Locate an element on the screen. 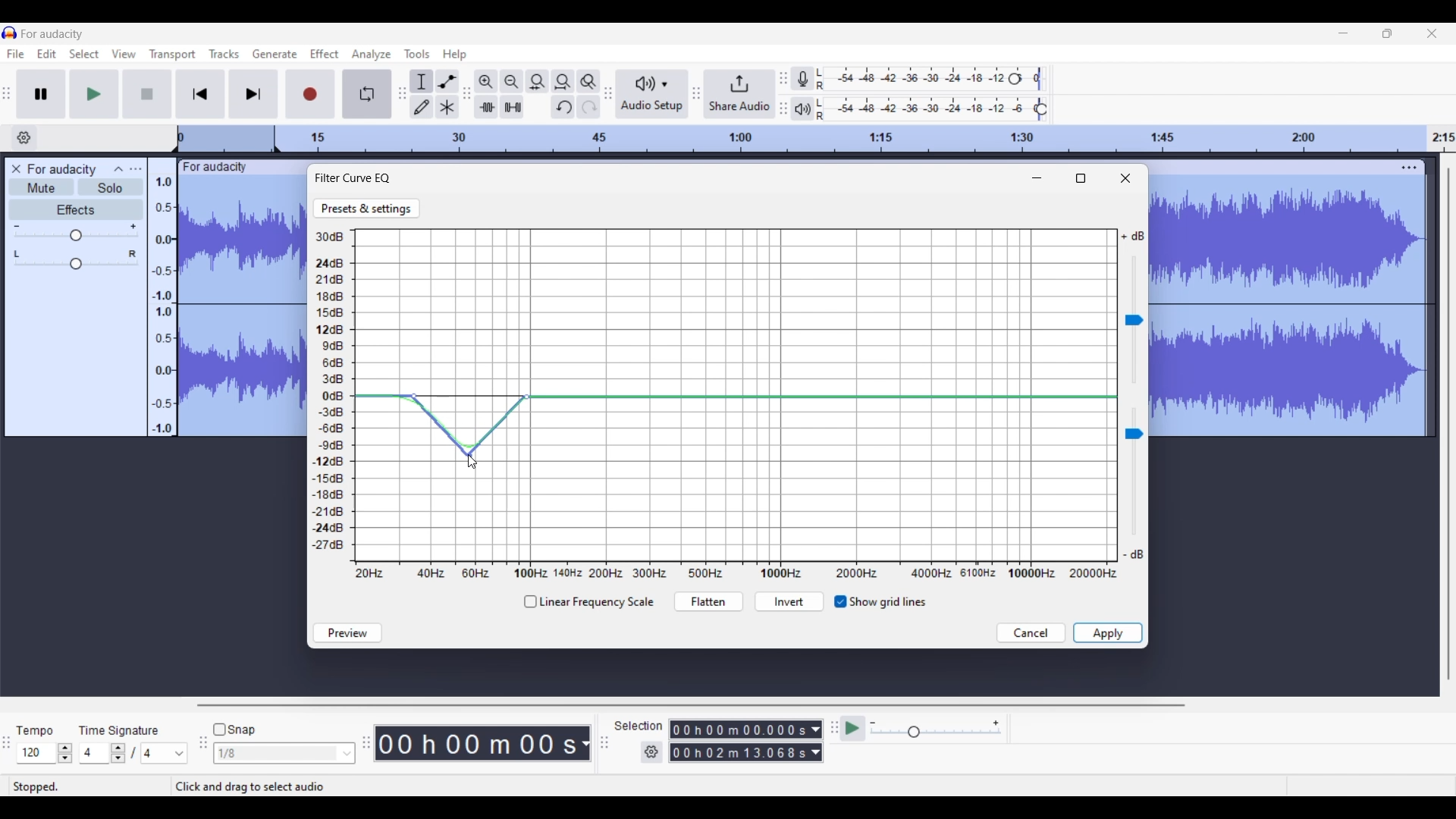 The height and width of the screenshot is (819, 1456). Header space  is located at coordinates (226, 140).